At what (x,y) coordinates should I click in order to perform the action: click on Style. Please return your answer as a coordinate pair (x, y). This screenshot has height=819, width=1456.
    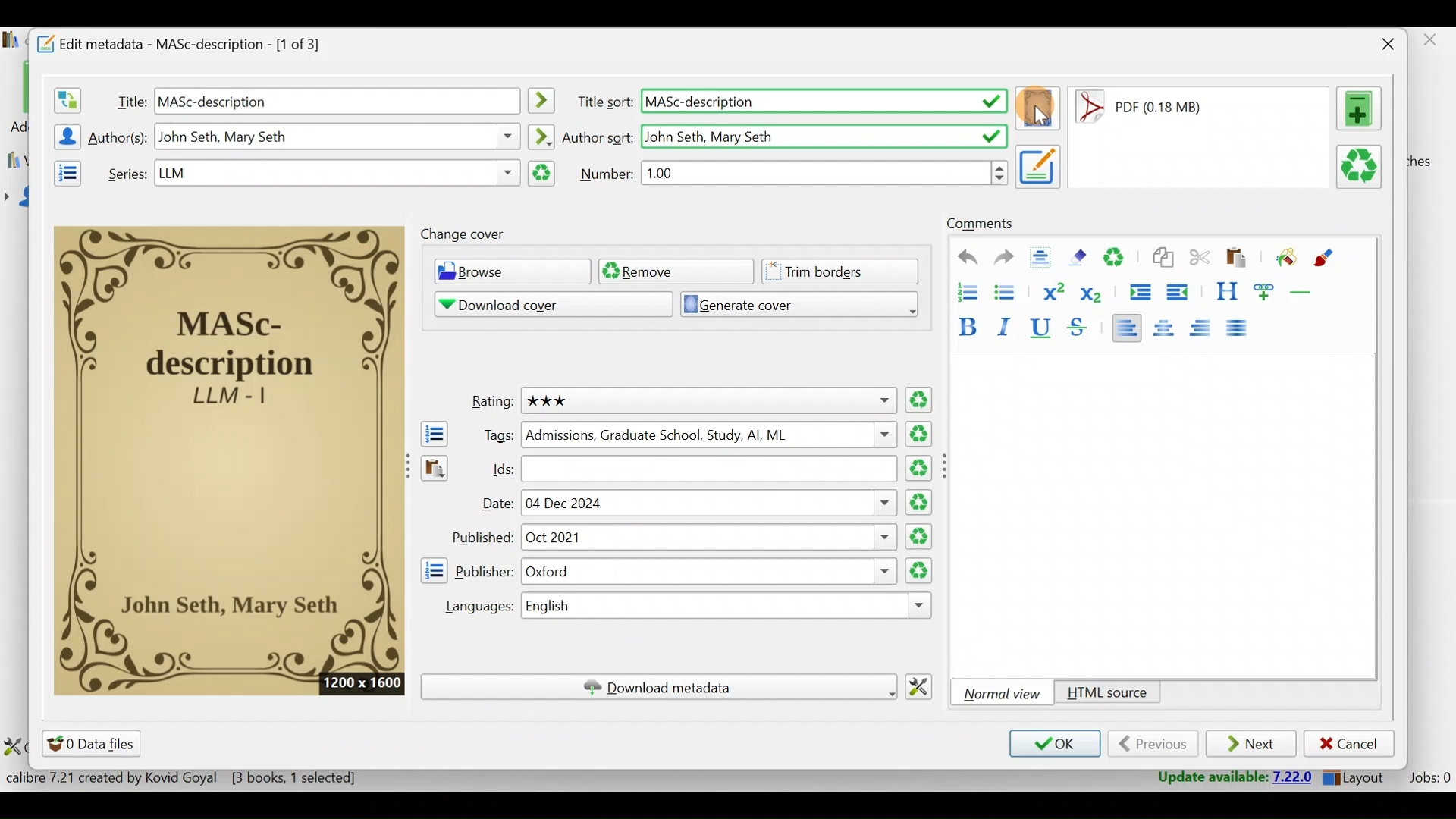
    Looking at the image, I should click on (1226, 291).